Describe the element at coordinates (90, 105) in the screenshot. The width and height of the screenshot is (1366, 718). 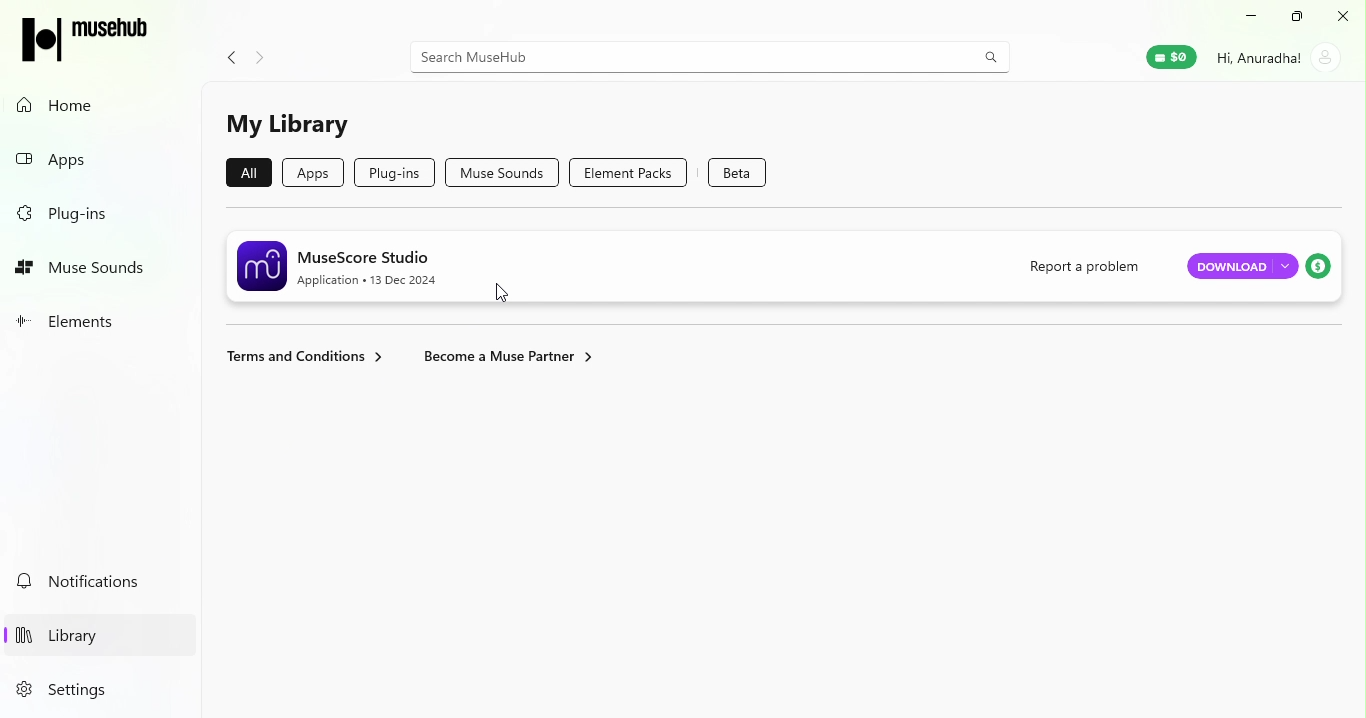
I see `Home` at that location.